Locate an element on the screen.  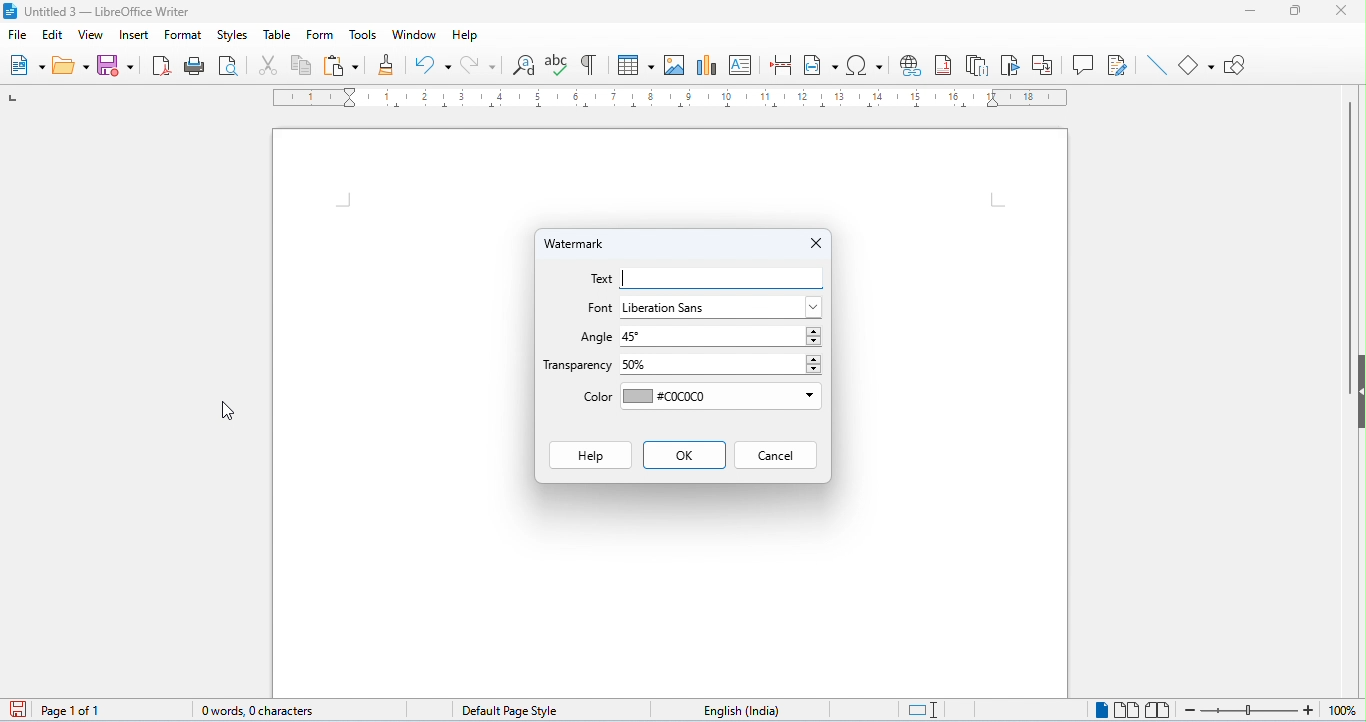
font is located at coordinates (599, 308).